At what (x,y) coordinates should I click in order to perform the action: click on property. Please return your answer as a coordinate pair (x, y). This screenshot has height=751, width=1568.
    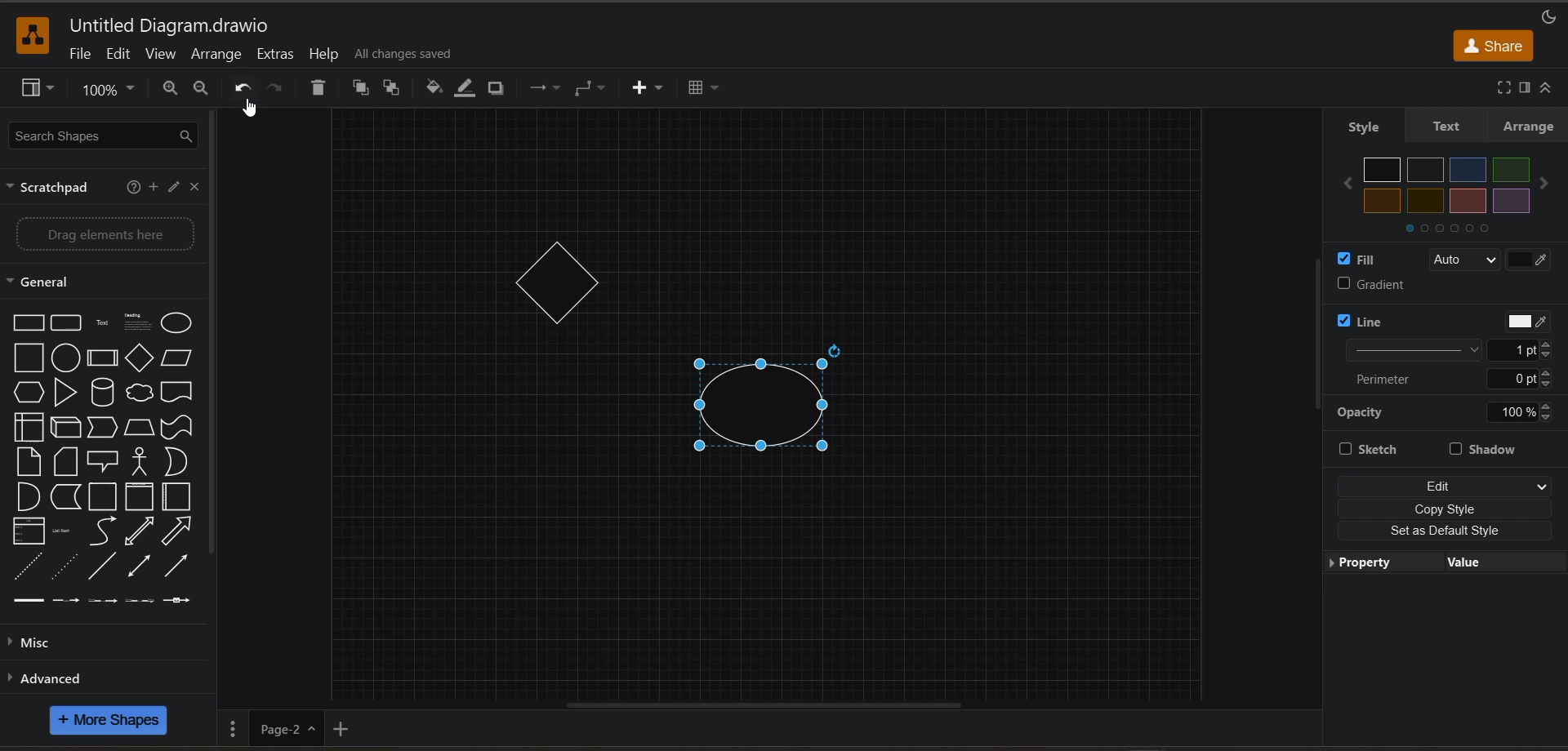
    Looking at the image, I should click on (1380, 562).